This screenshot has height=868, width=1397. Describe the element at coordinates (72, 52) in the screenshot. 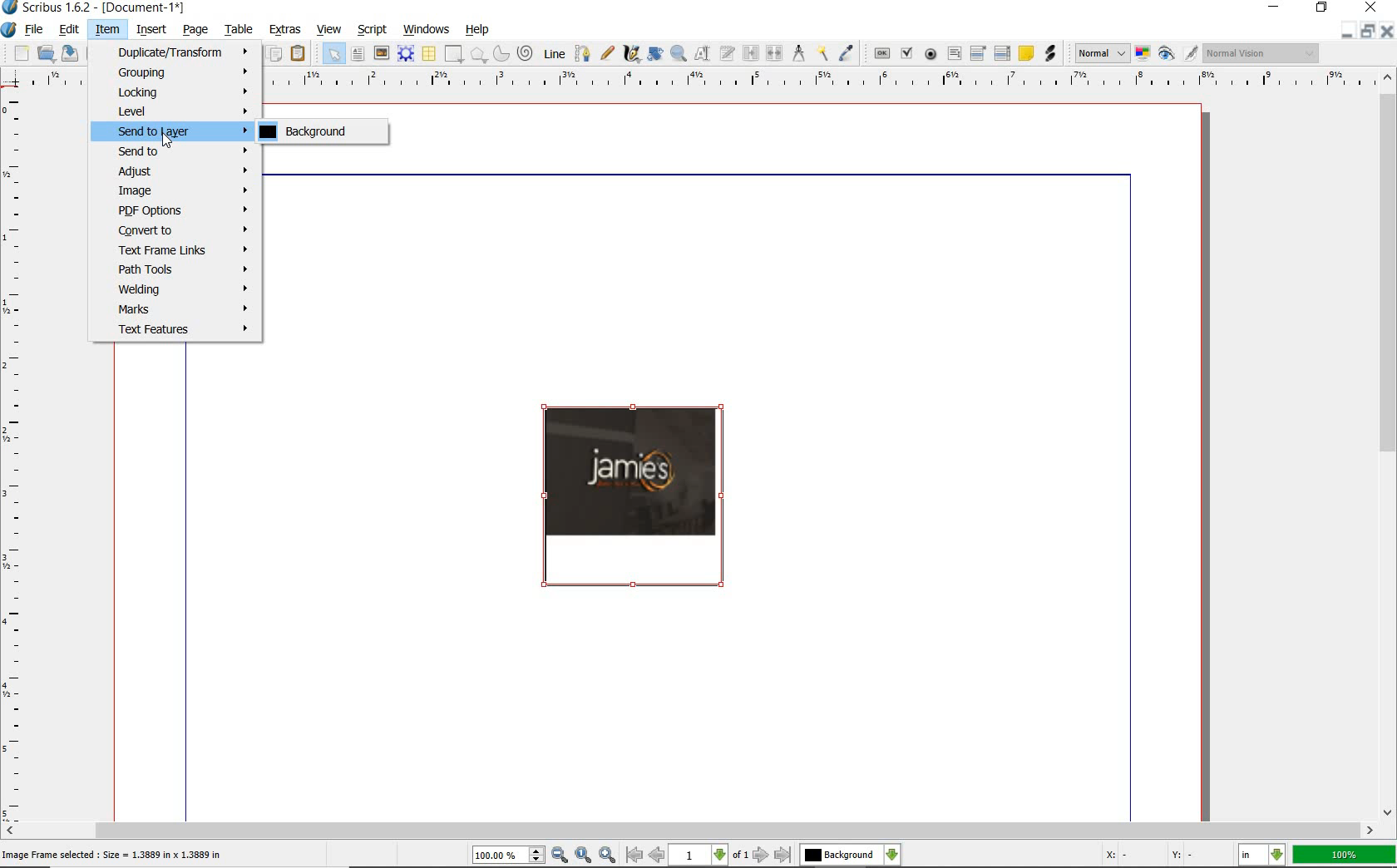

I see `save` at that location.